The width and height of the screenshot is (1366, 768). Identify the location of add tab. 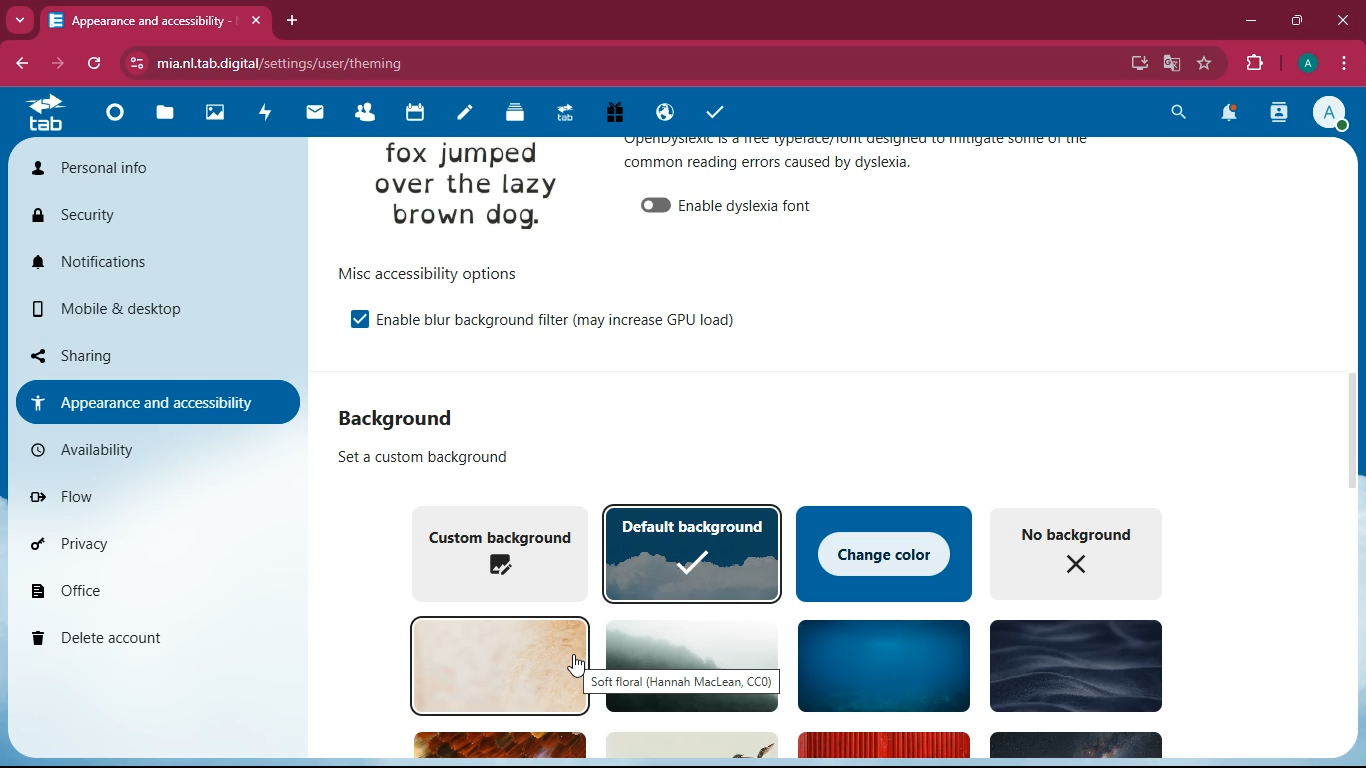
(289, 20).